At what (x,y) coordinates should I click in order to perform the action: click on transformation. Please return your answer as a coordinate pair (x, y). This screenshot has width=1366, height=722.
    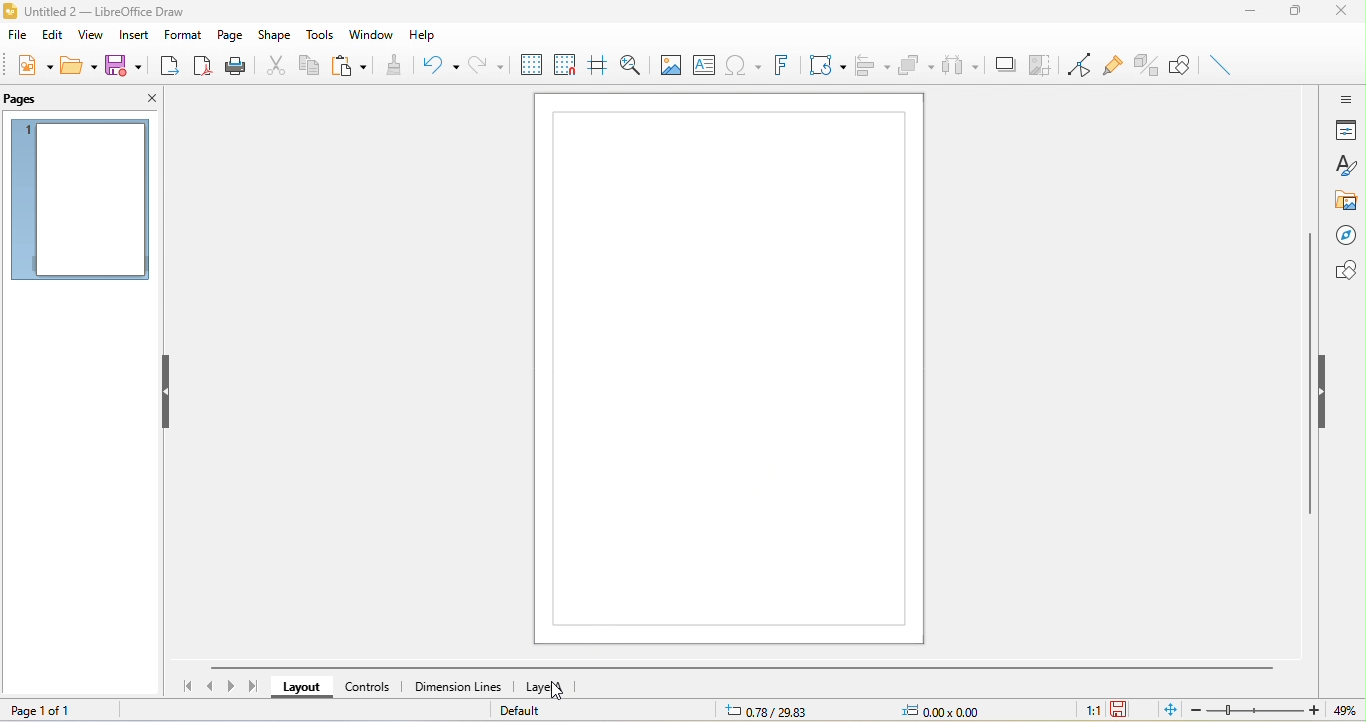
    Looking at the image, I should click on (823, 67).